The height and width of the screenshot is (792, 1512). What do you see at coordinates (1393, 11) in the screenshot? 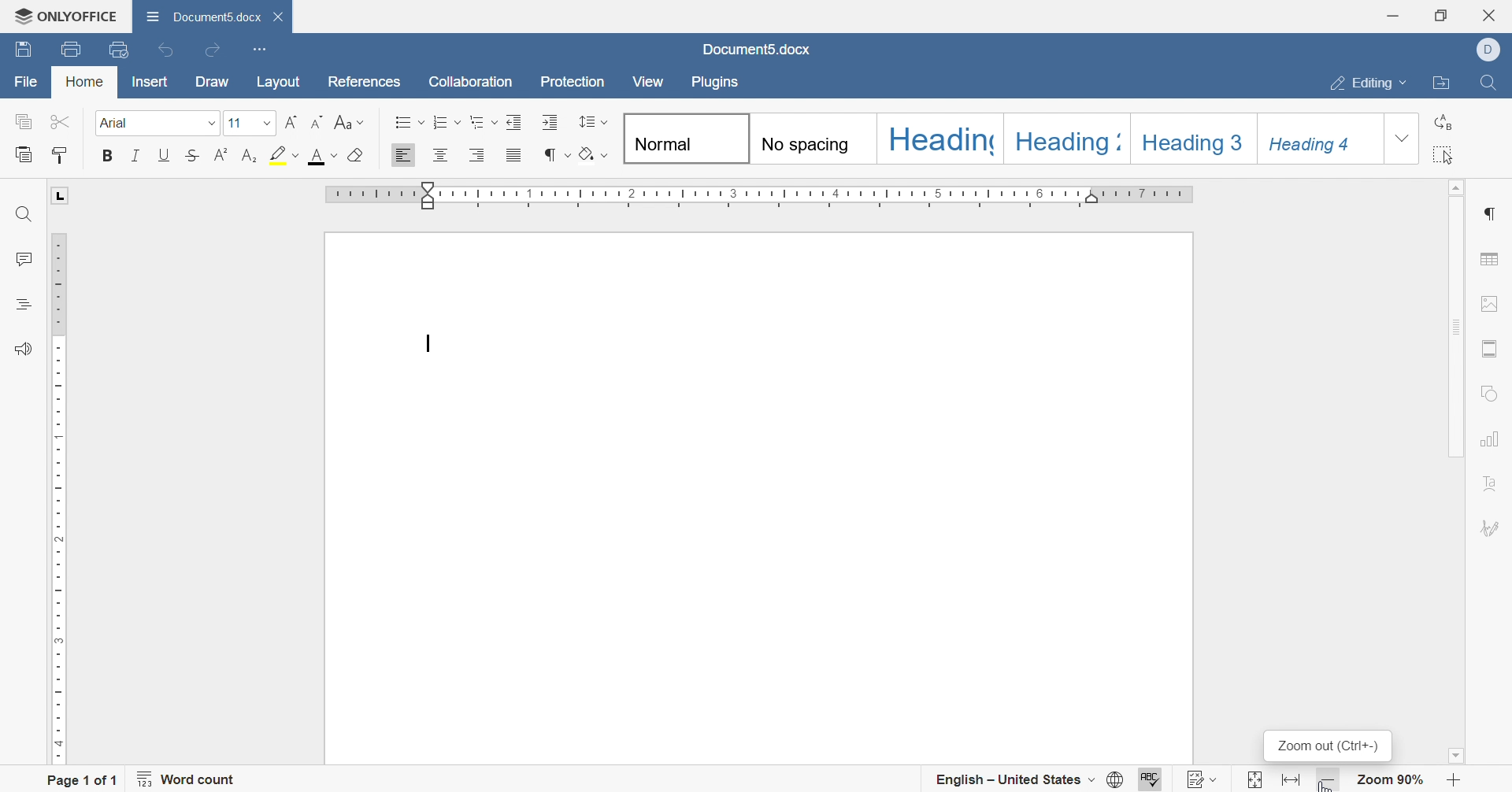
I see `minimize` at bounding box center [1393, 11].